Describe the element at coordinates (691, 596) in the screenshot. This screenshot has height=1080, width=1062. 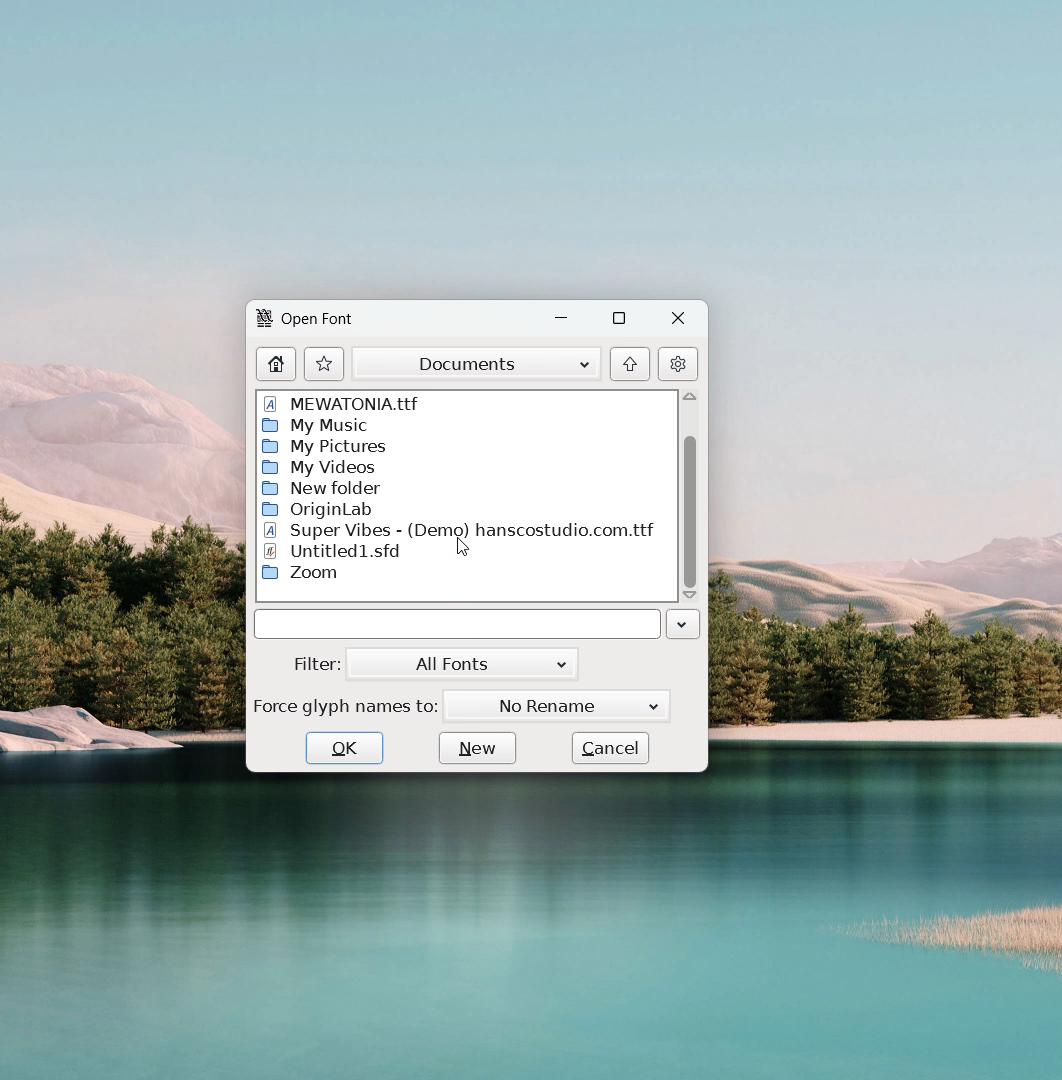
I see `scroll down` at that location.